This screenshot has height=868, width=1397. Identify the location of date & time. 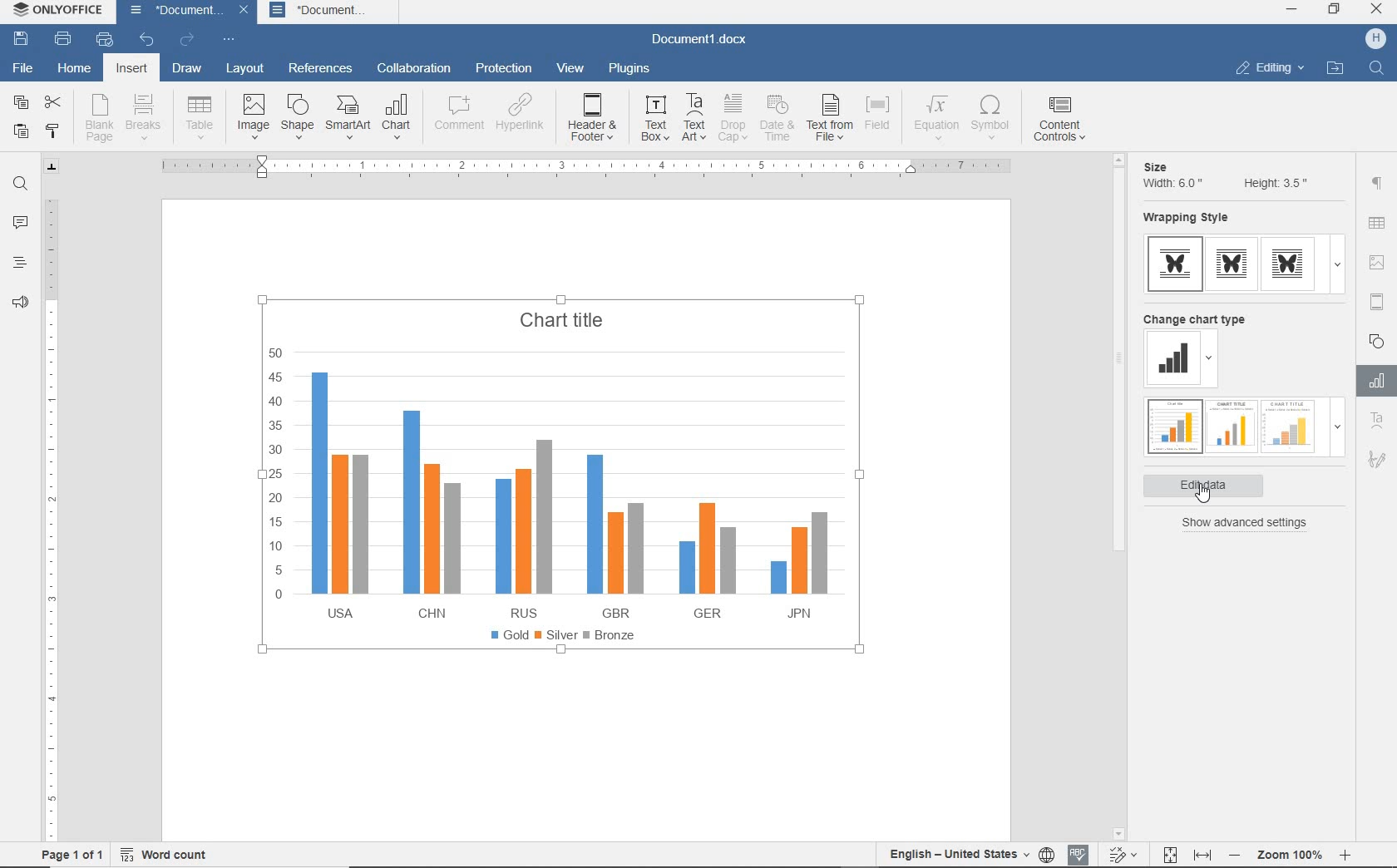
(779, 118).